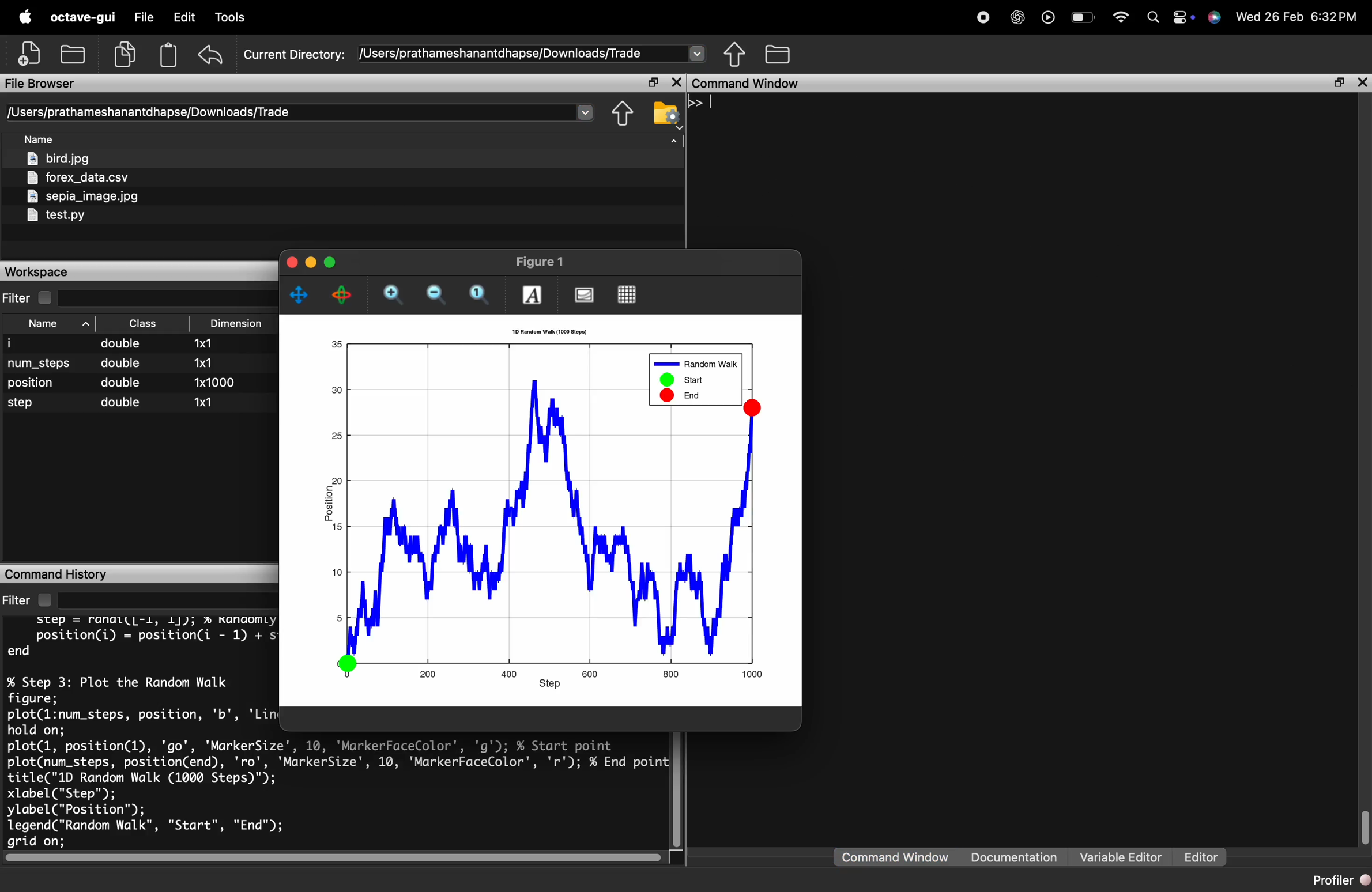  Describe the element at coordinates (31, 52) in the screenshot. I see `new script` at that location.